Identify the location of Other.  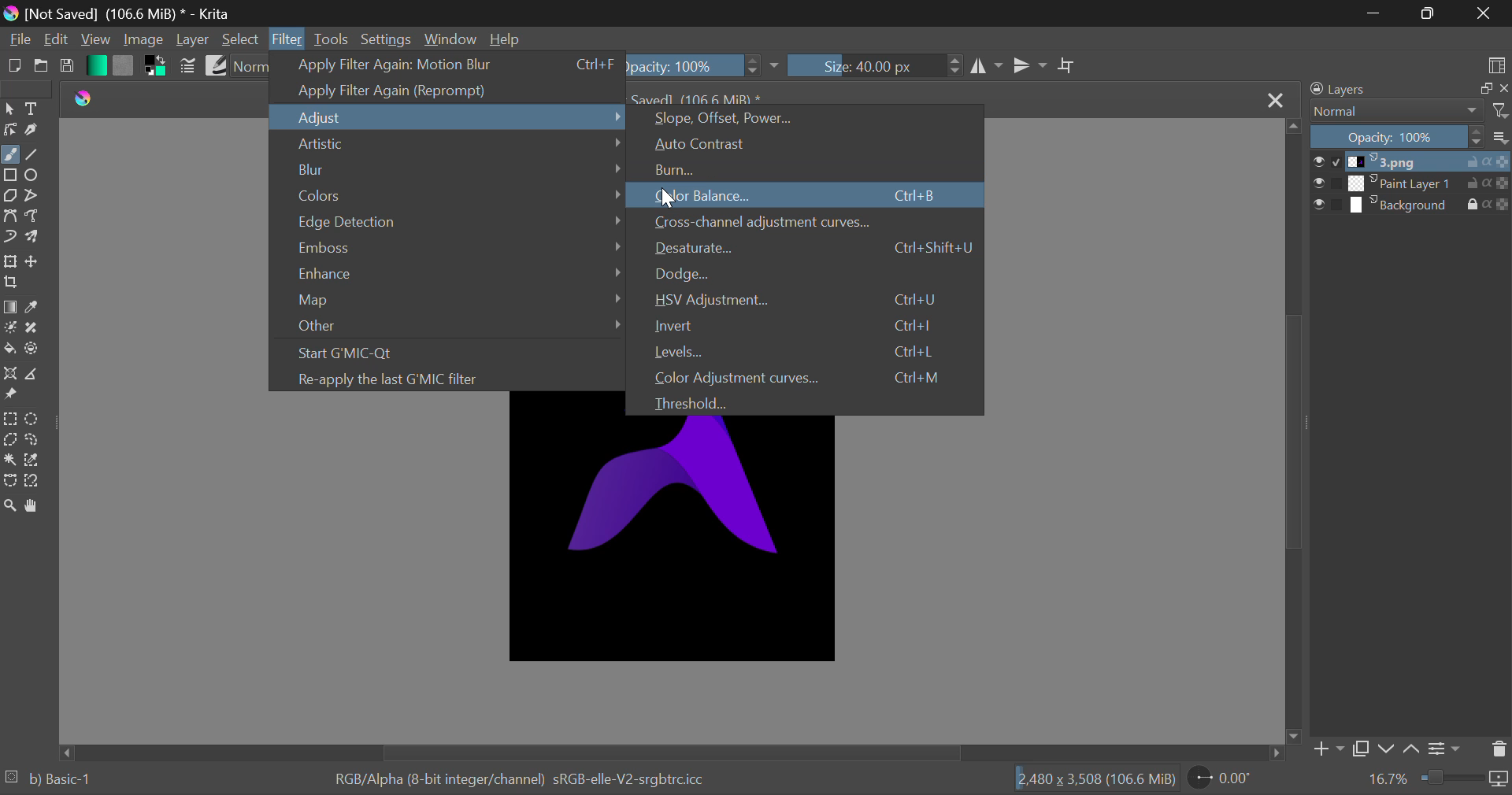
(457, 327).